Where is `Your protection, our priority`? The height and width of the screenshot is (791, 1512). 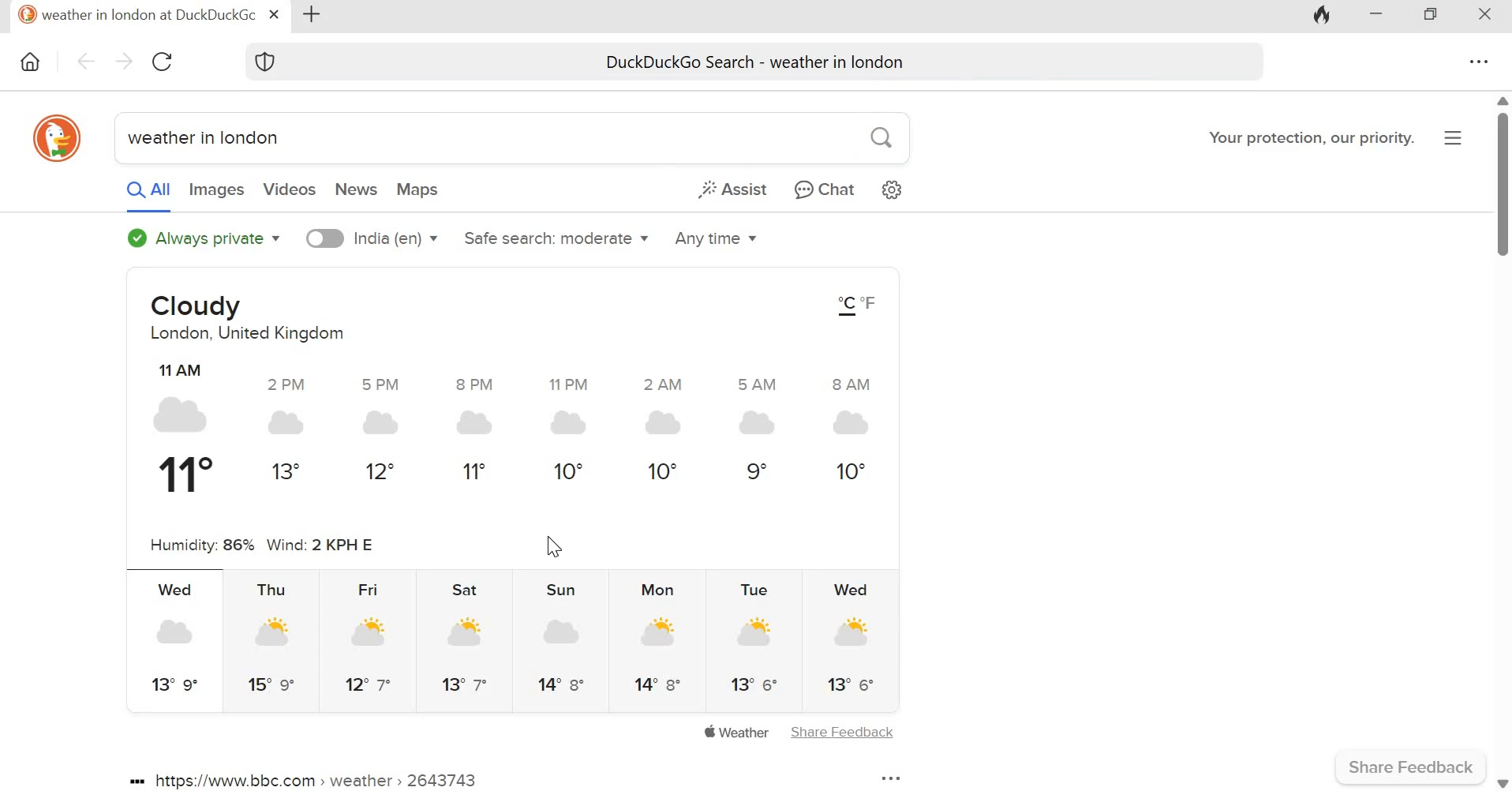
Your protection, our priority is located at coordinates (1310, 137).